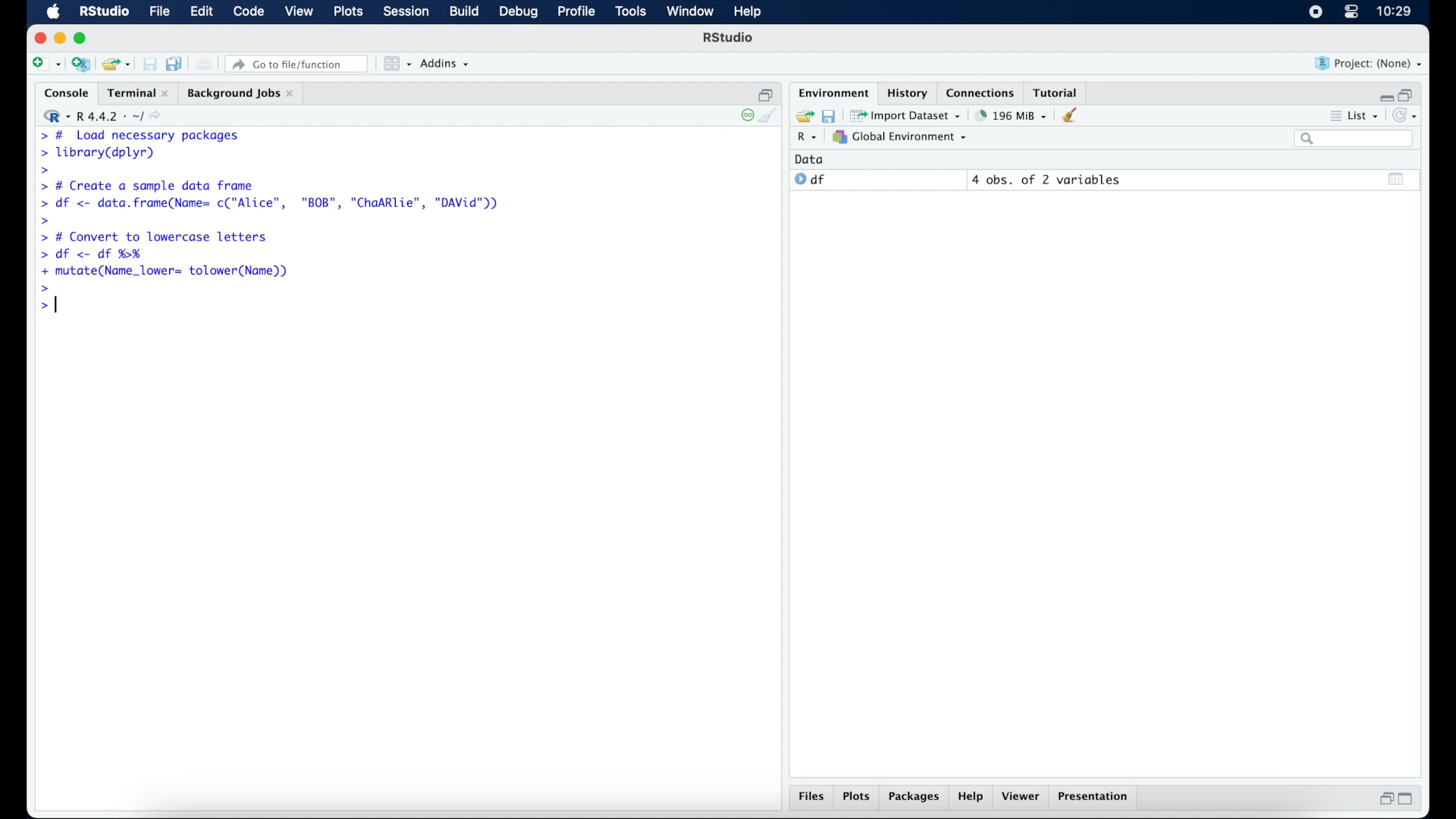  Describe the element at coordinates (297, 64) in the screenshot. I see `go to file/function` at that location.